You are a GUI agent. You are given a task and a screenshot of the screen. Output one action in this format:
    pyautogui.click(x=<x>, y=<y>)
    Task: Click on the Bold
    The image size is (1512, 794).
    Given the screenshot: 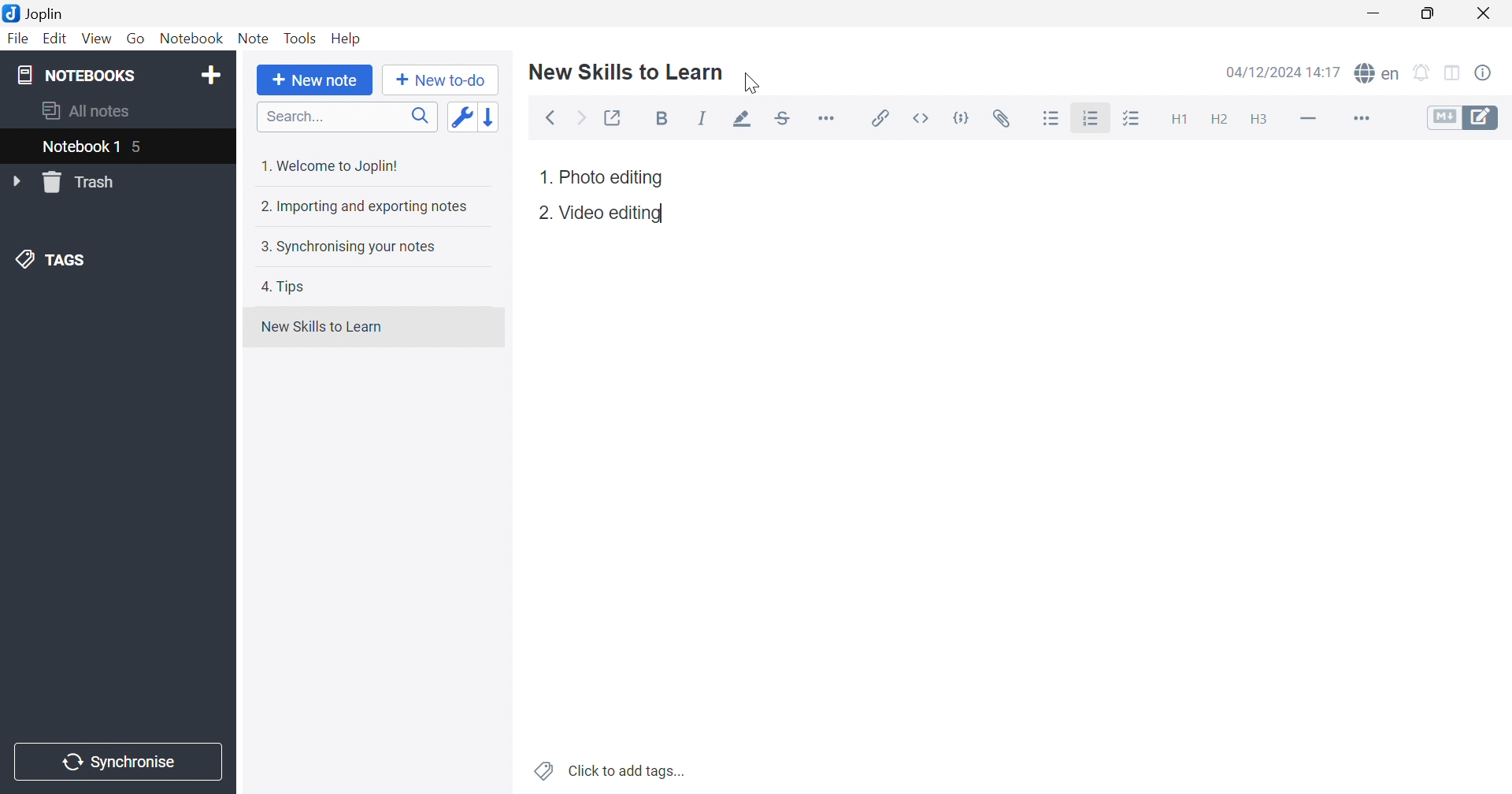 What is the action you would take?
    pyautogui.click(x=666, y=120)
    